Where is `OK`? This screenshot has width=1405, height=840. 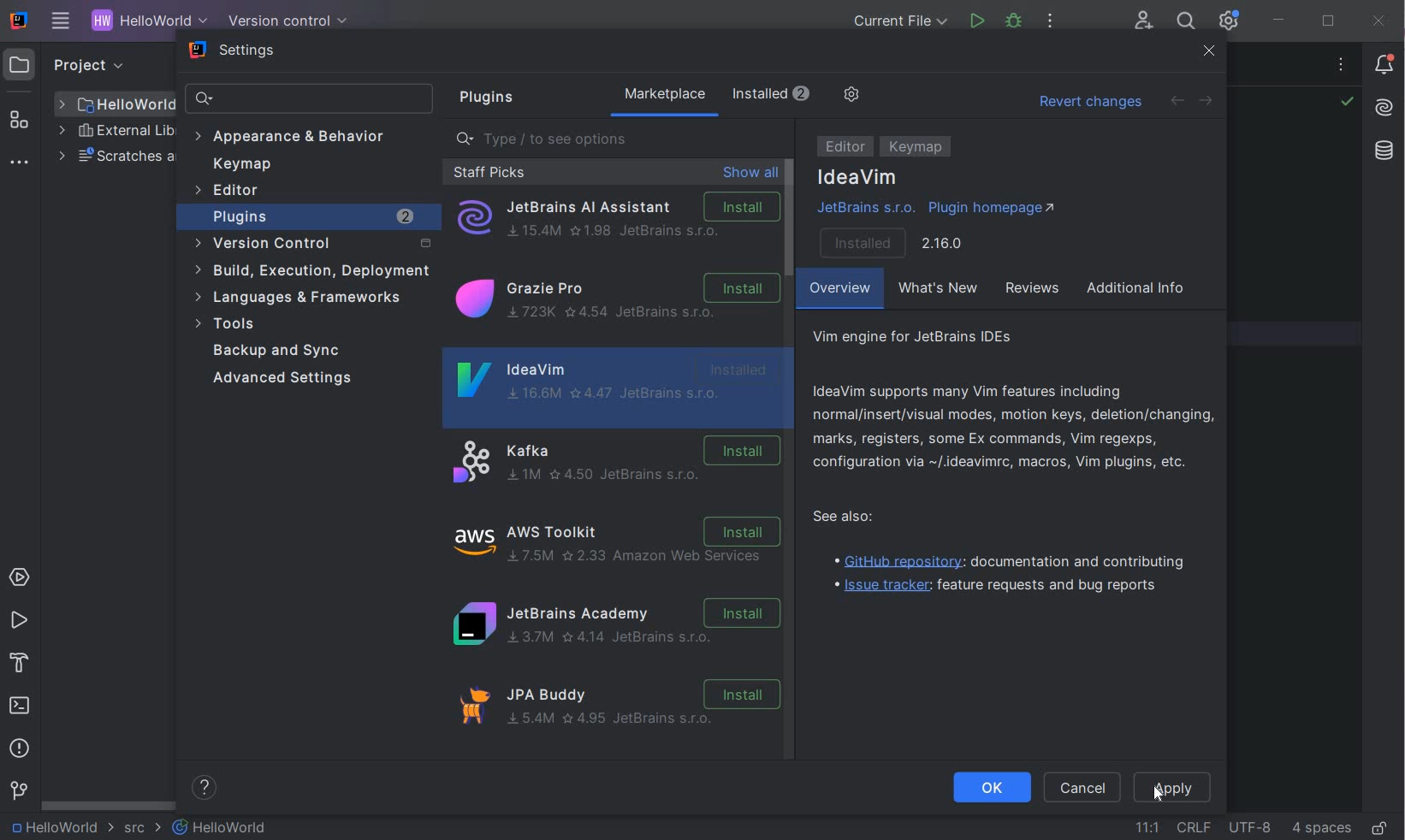 OK is located at coordinates (991, 789).